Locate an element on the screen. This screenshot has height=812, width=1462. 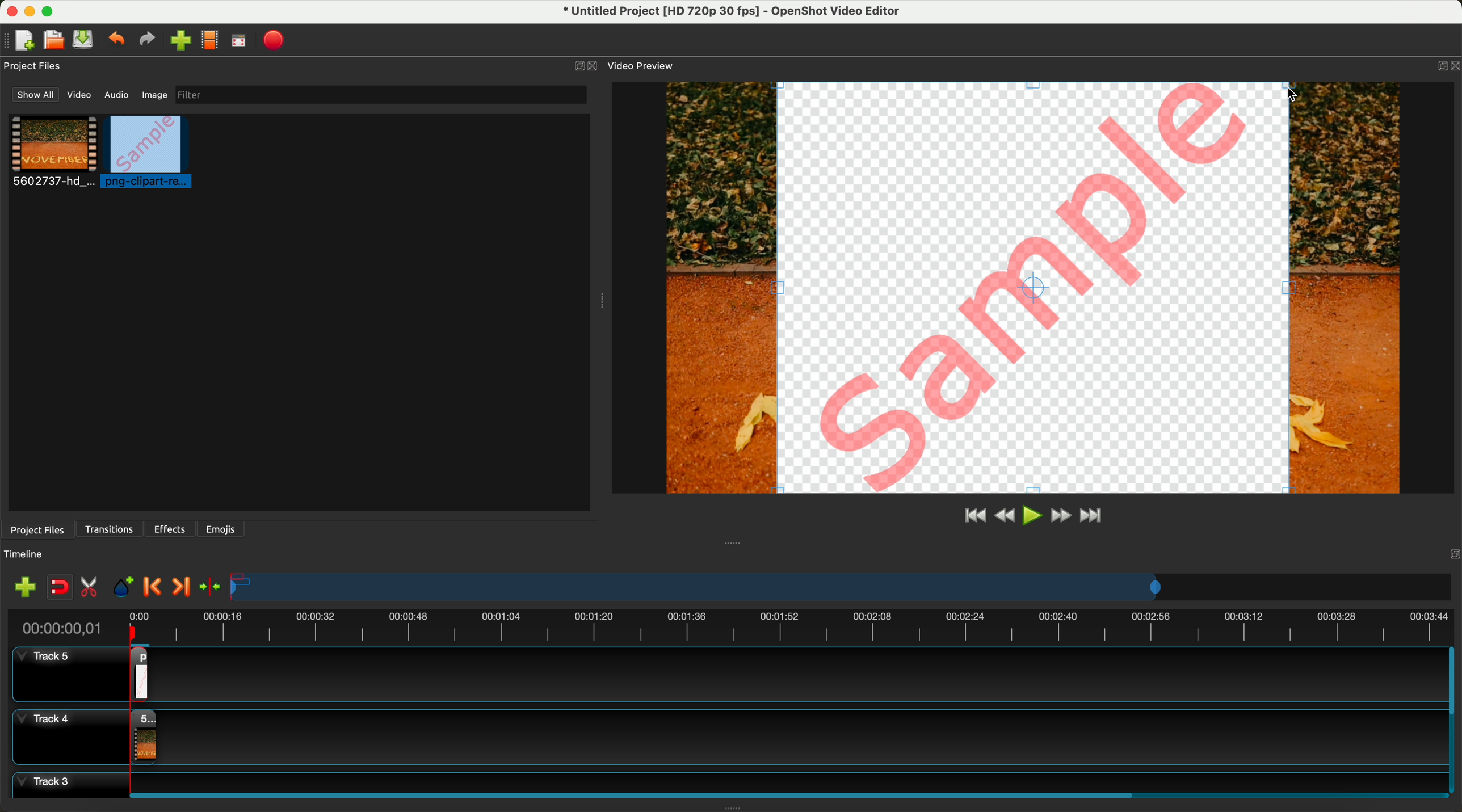
click to drag to minimize size image is located at coordinates (1287, 94).